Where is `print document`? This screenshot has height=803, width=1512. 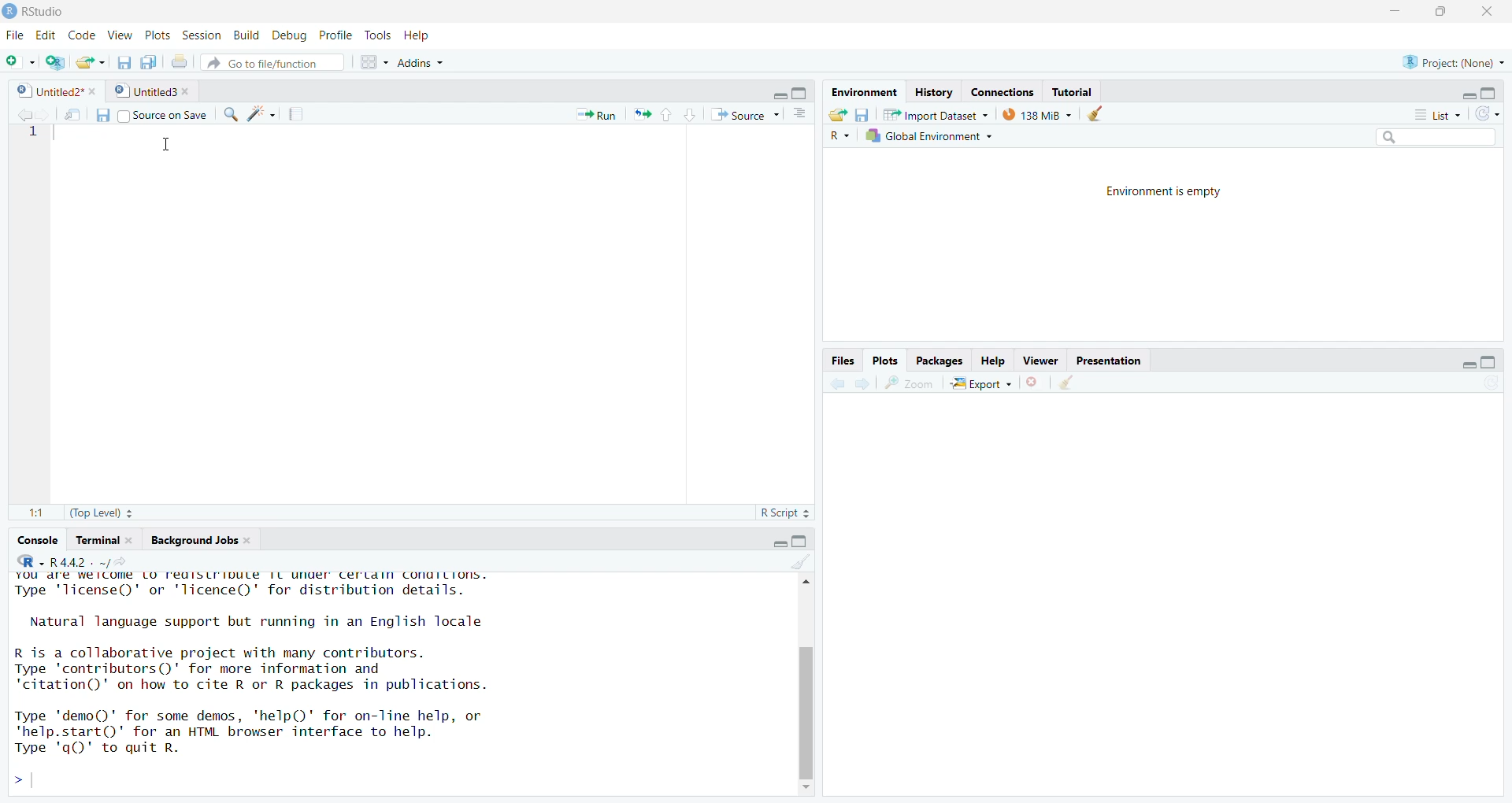
print document is located at coordinates (180, 60).